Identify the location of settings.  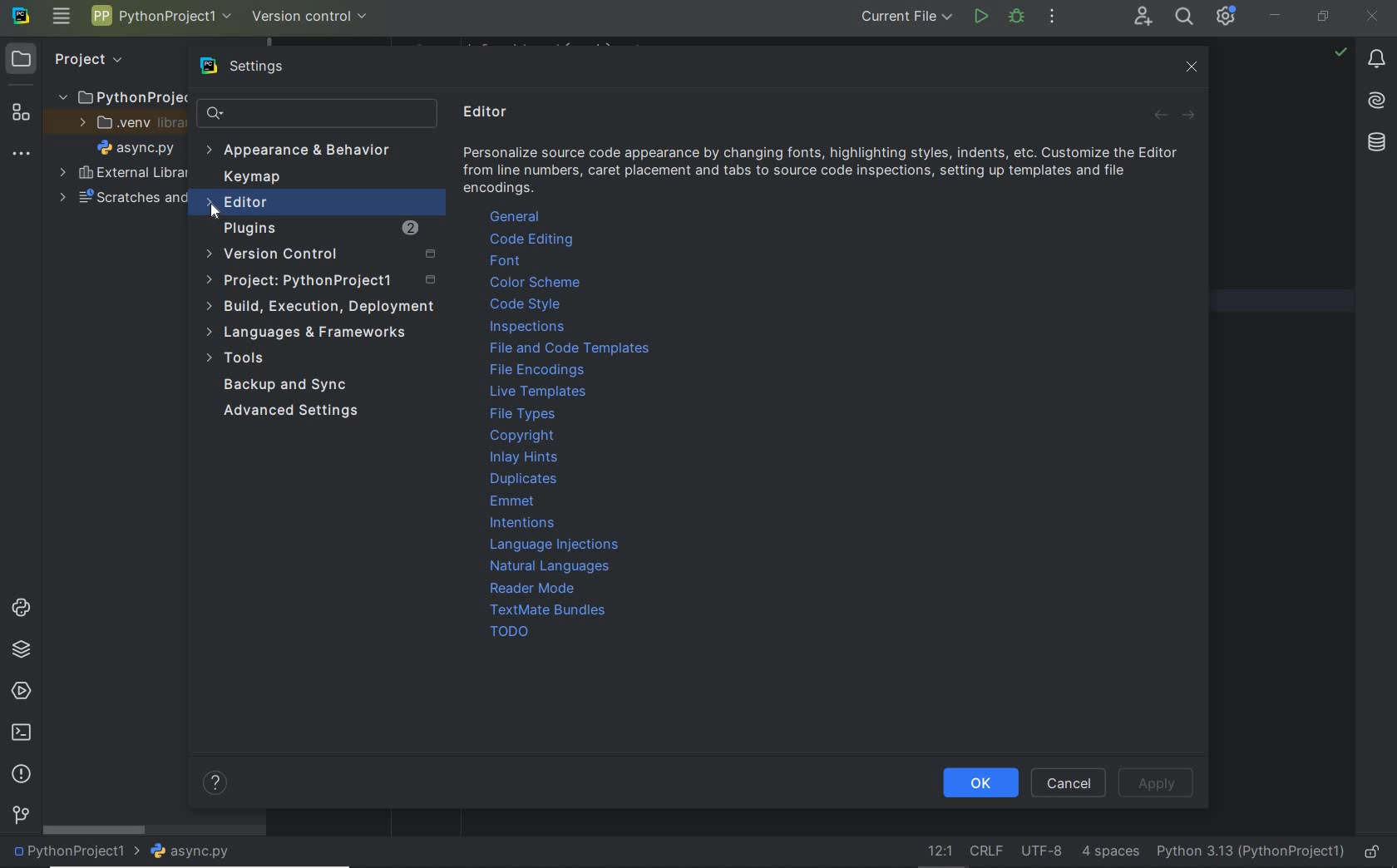
(264, 67).